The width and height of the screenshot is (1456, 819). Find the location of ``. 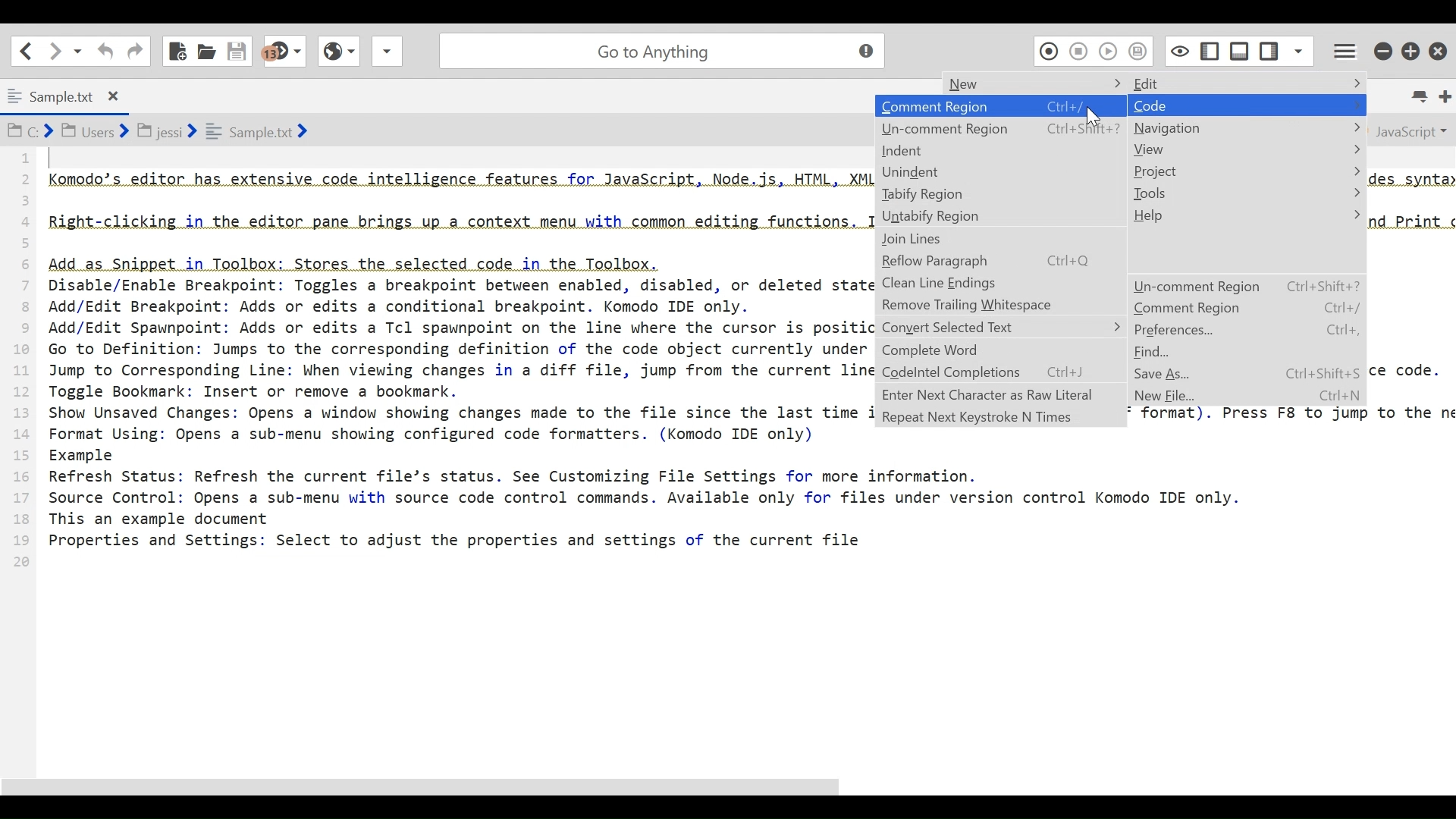

 is located at coordinates (1244, 84).